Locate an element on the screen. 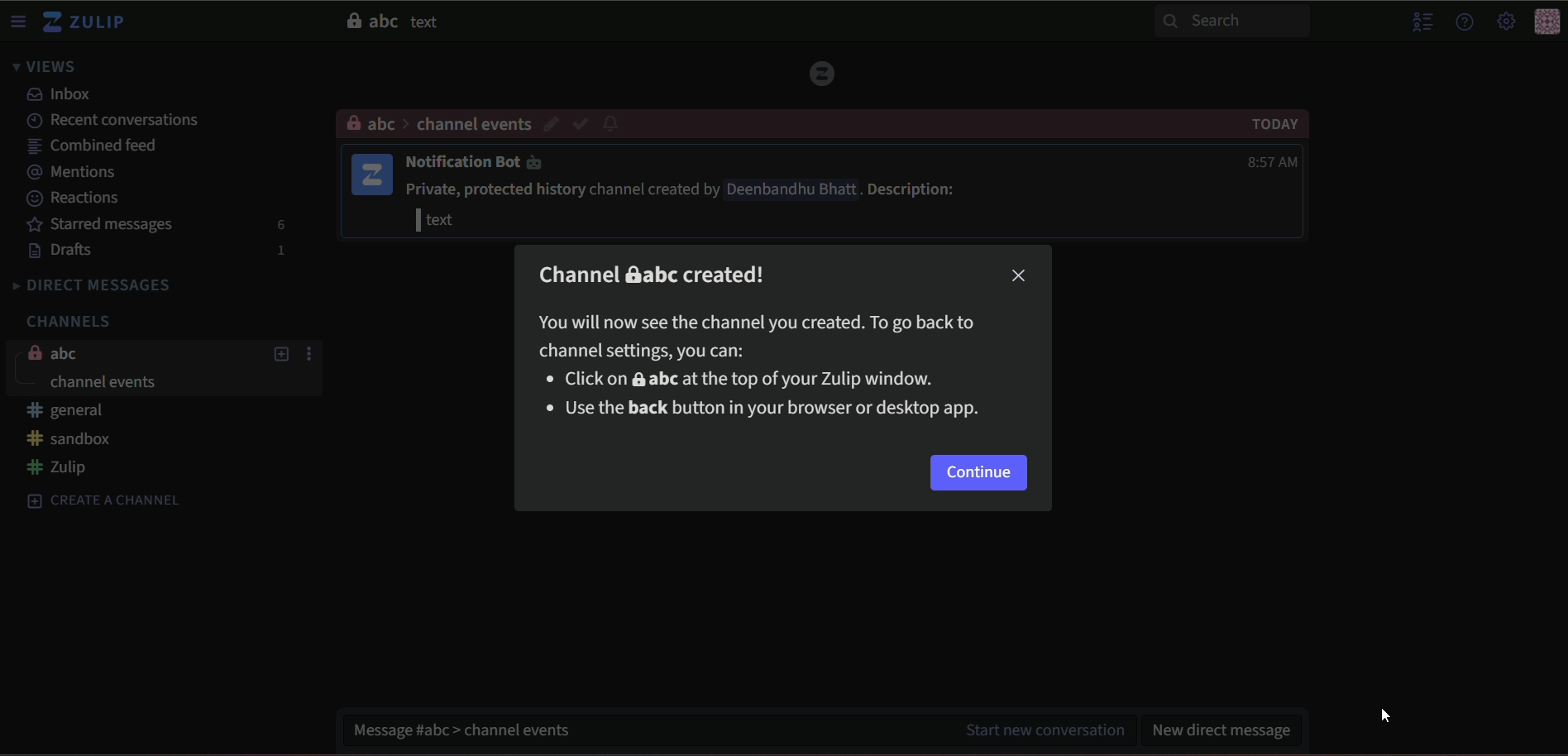  icon is located at coordinates (1547, 22).